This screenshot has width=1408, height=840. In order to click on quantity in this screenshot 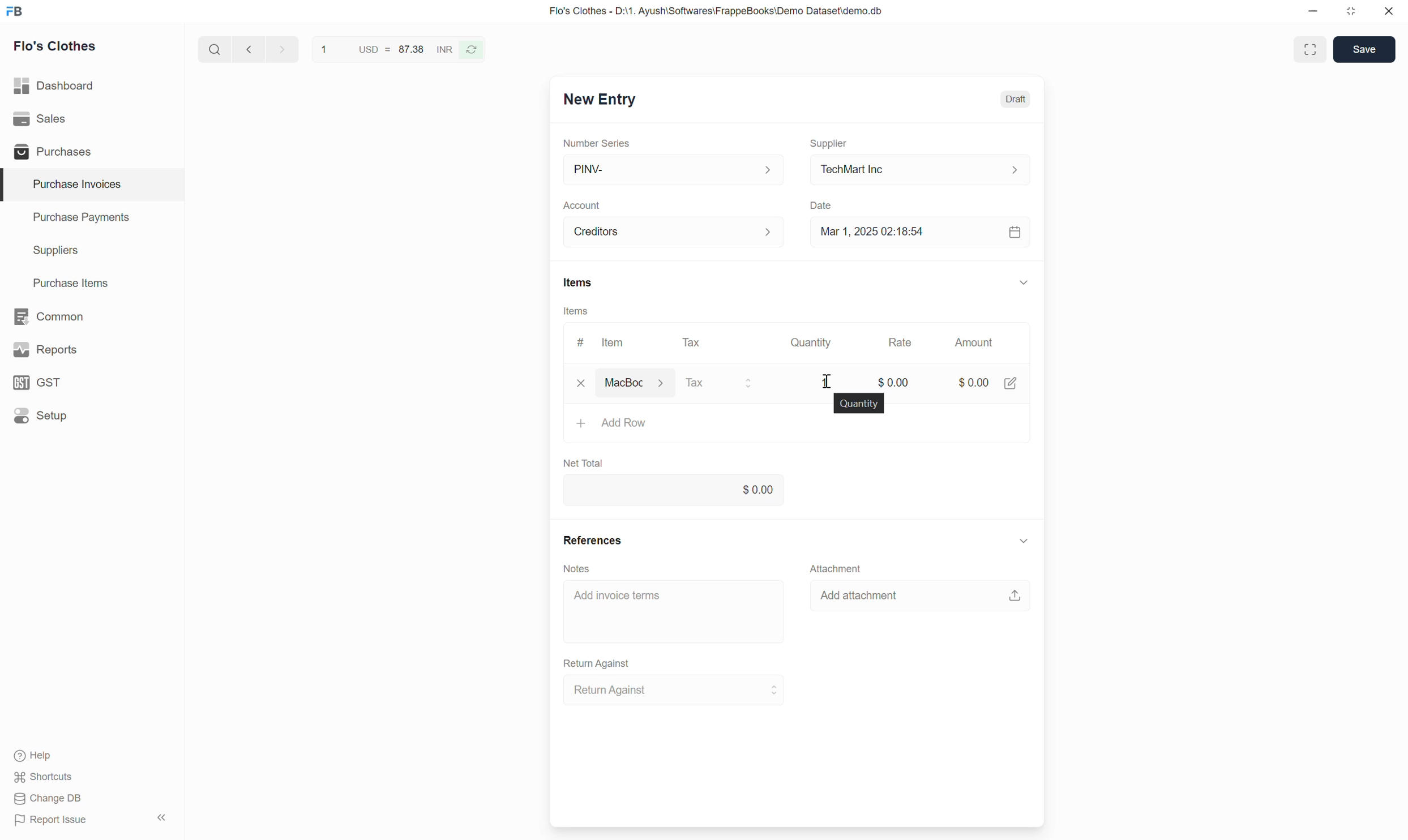, I will do `click(861, 403)`.